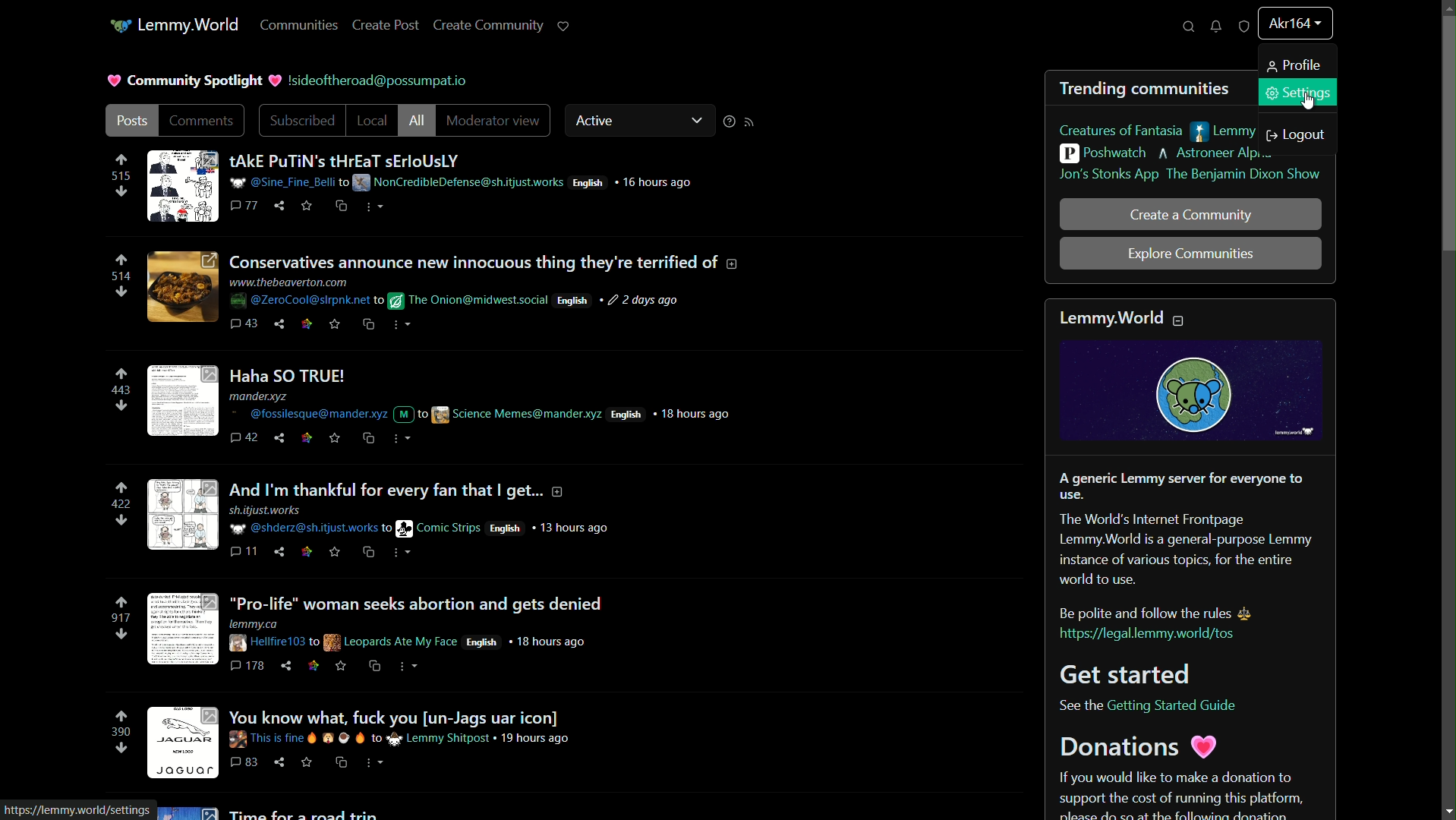  What do you see at coordinates (1228, 132) in the screenshot?
I see `lemmy top shelf` at bounding box center [1228, 132].